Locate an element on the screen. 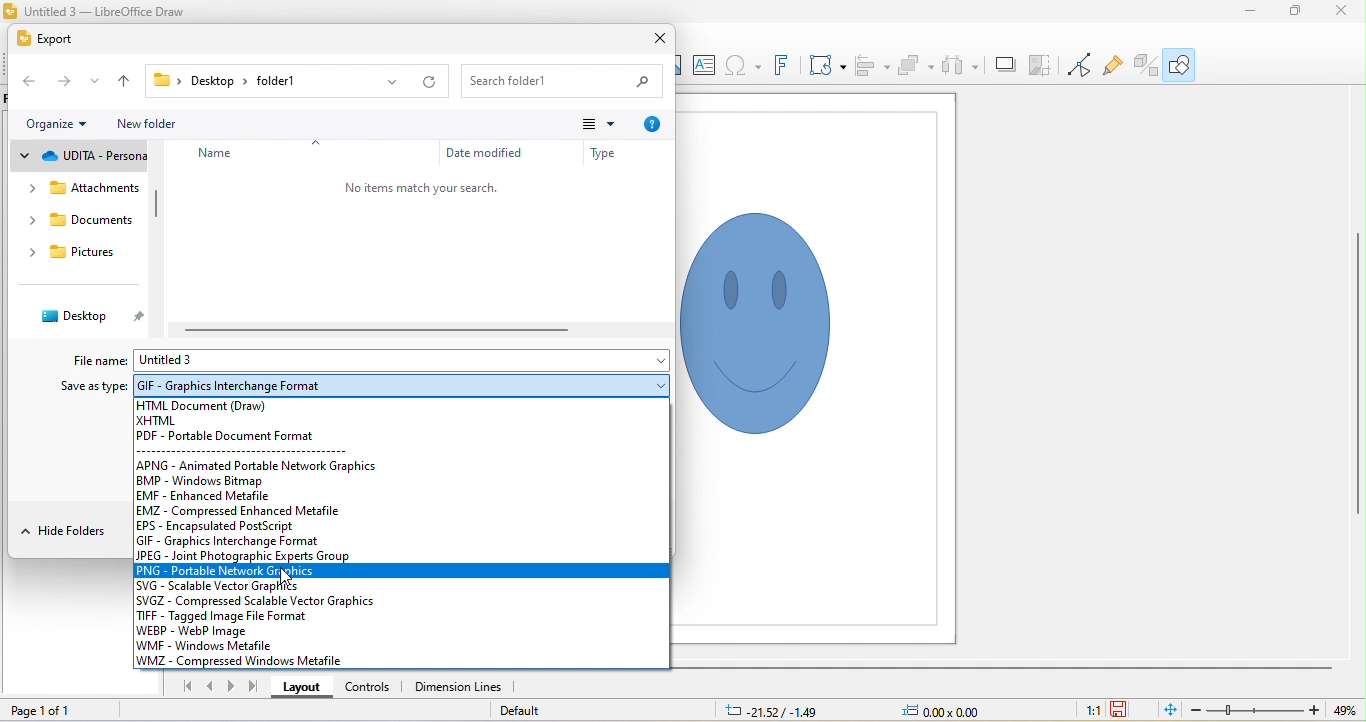 The width and height of the screenshot is (1366, 722). drop down is located at coordinates (26, 155).